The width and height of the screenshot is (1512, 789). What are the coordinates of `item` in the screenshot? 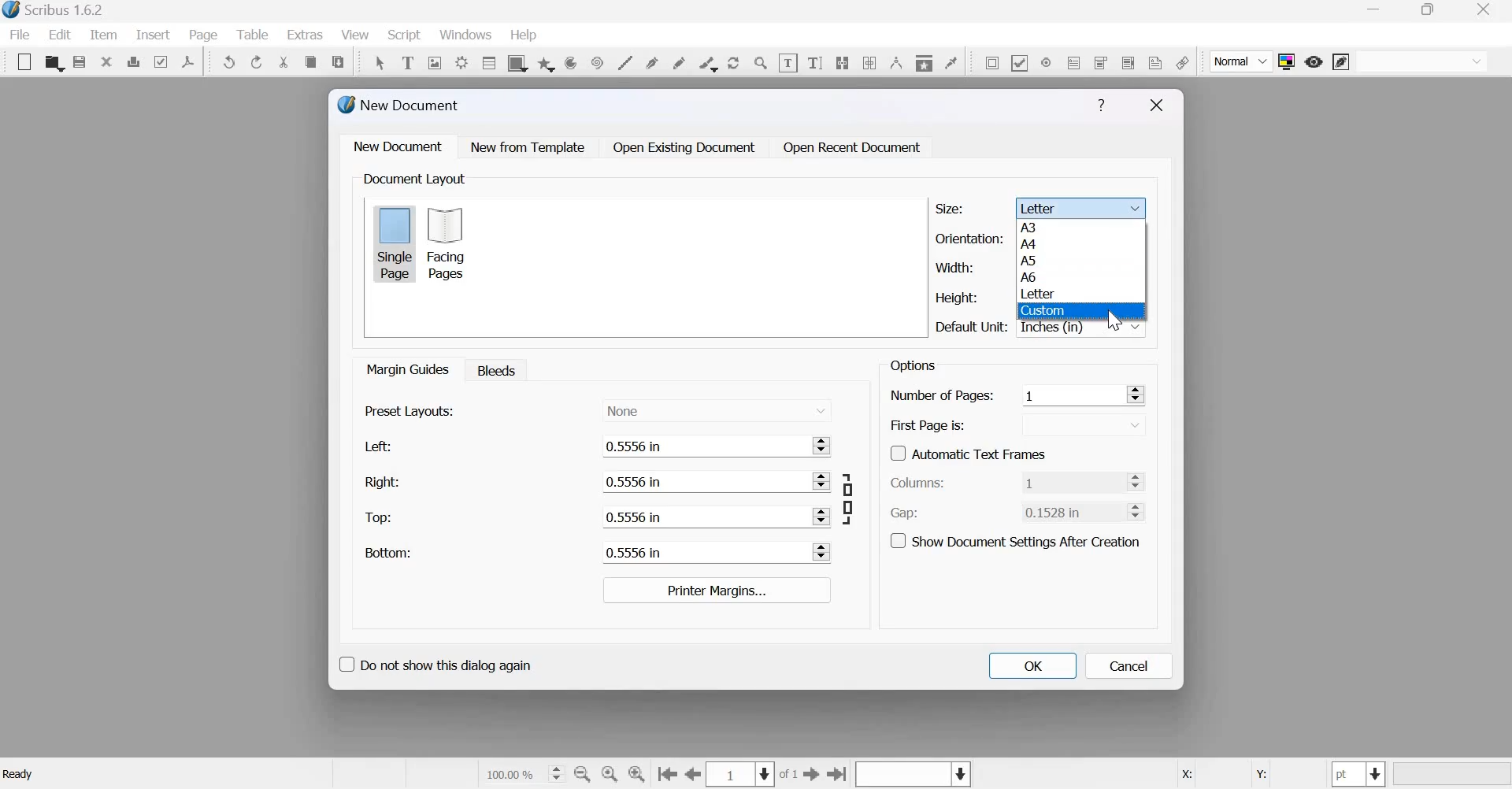 It's located at (102, 35).